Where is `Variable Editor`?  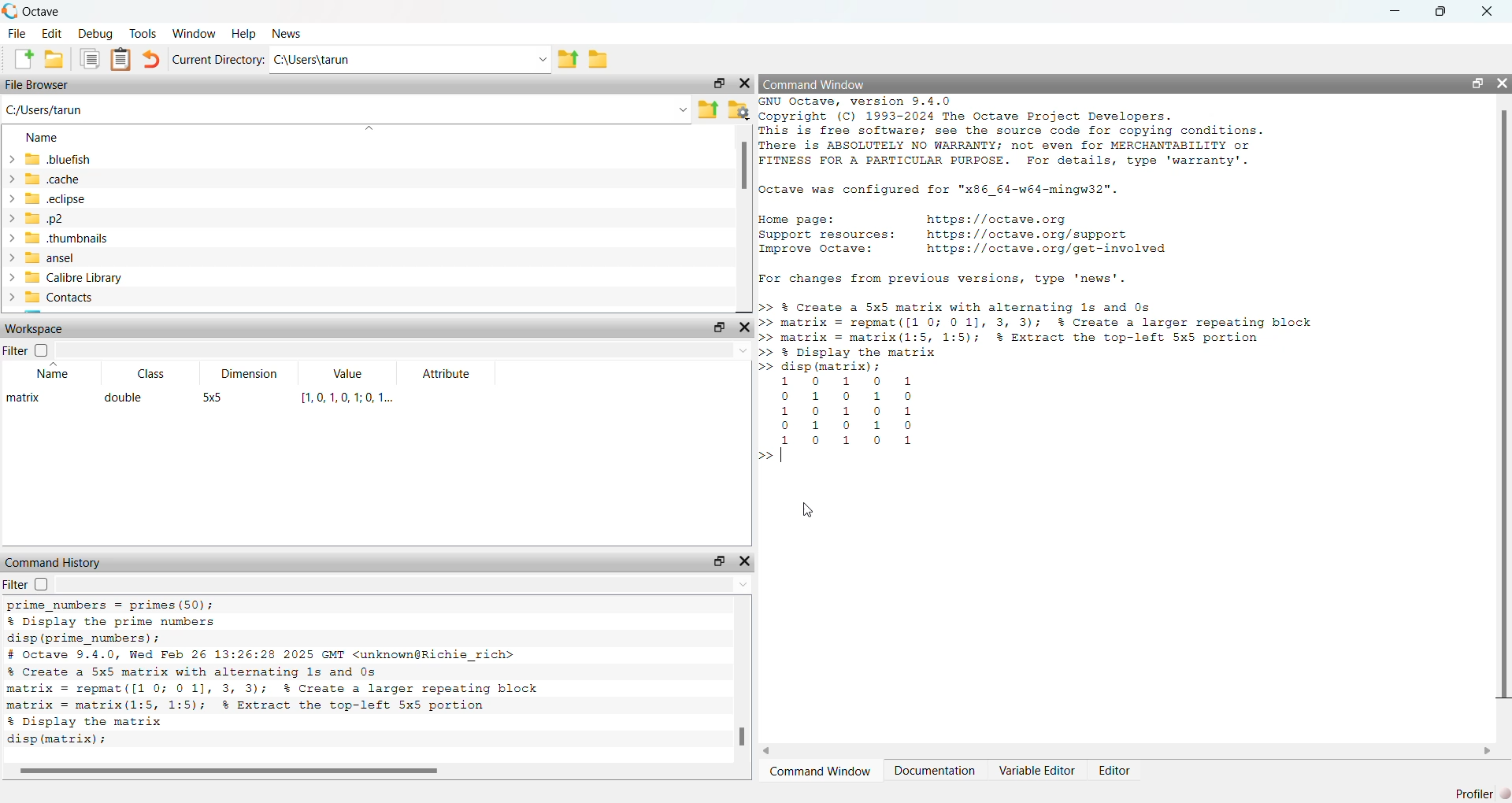
Variable Editor is located at coordinates (1037, 771).